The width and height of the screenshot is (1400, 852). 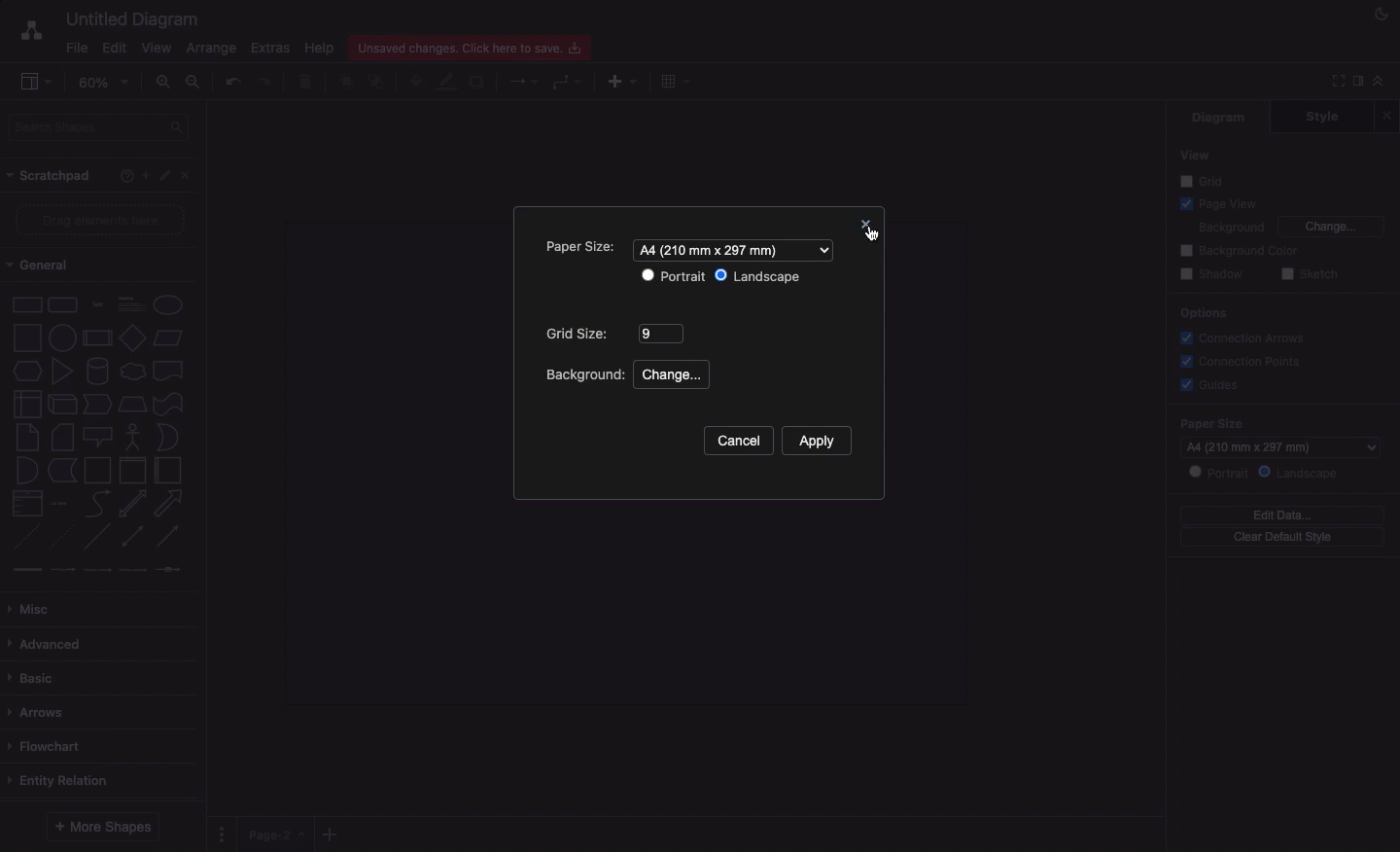 What do you see at coordinates (869, 237) in the screenshot?
I see `Cursor` at bounding box center [869, 237].